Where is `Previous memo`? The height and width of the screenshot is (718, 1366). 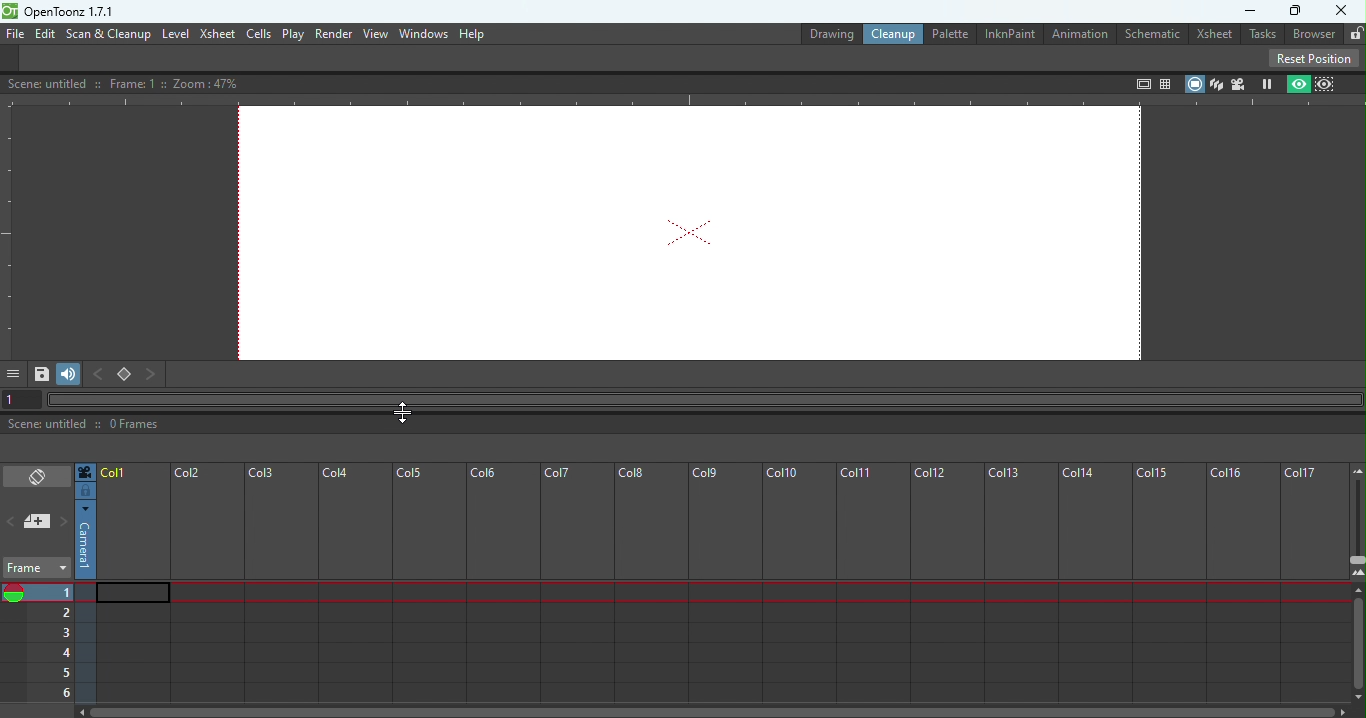
Previous memo is located at coordinates (12, 519).